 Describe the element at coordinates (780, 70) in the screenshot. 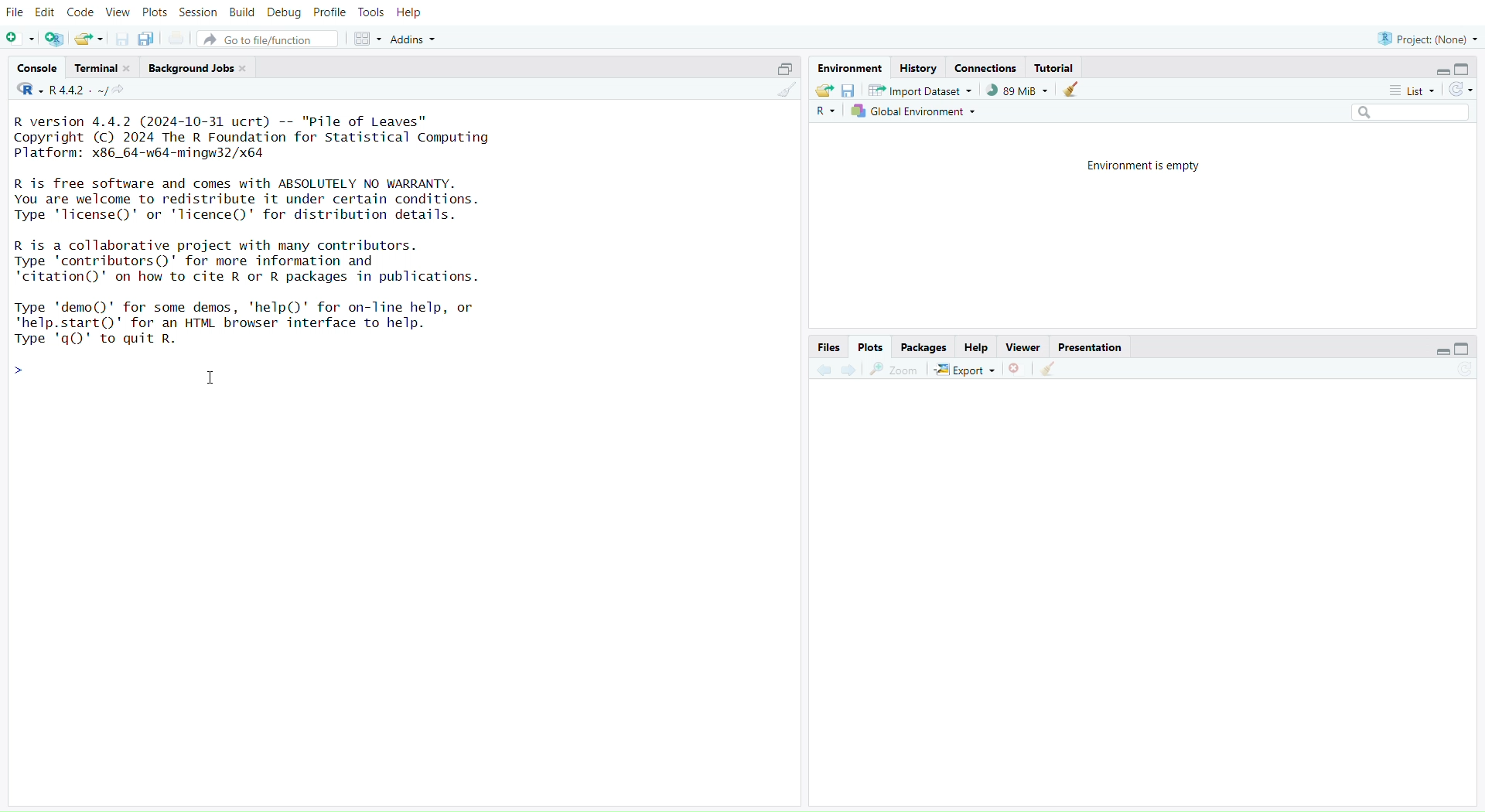

I see `Maximize` at that location.